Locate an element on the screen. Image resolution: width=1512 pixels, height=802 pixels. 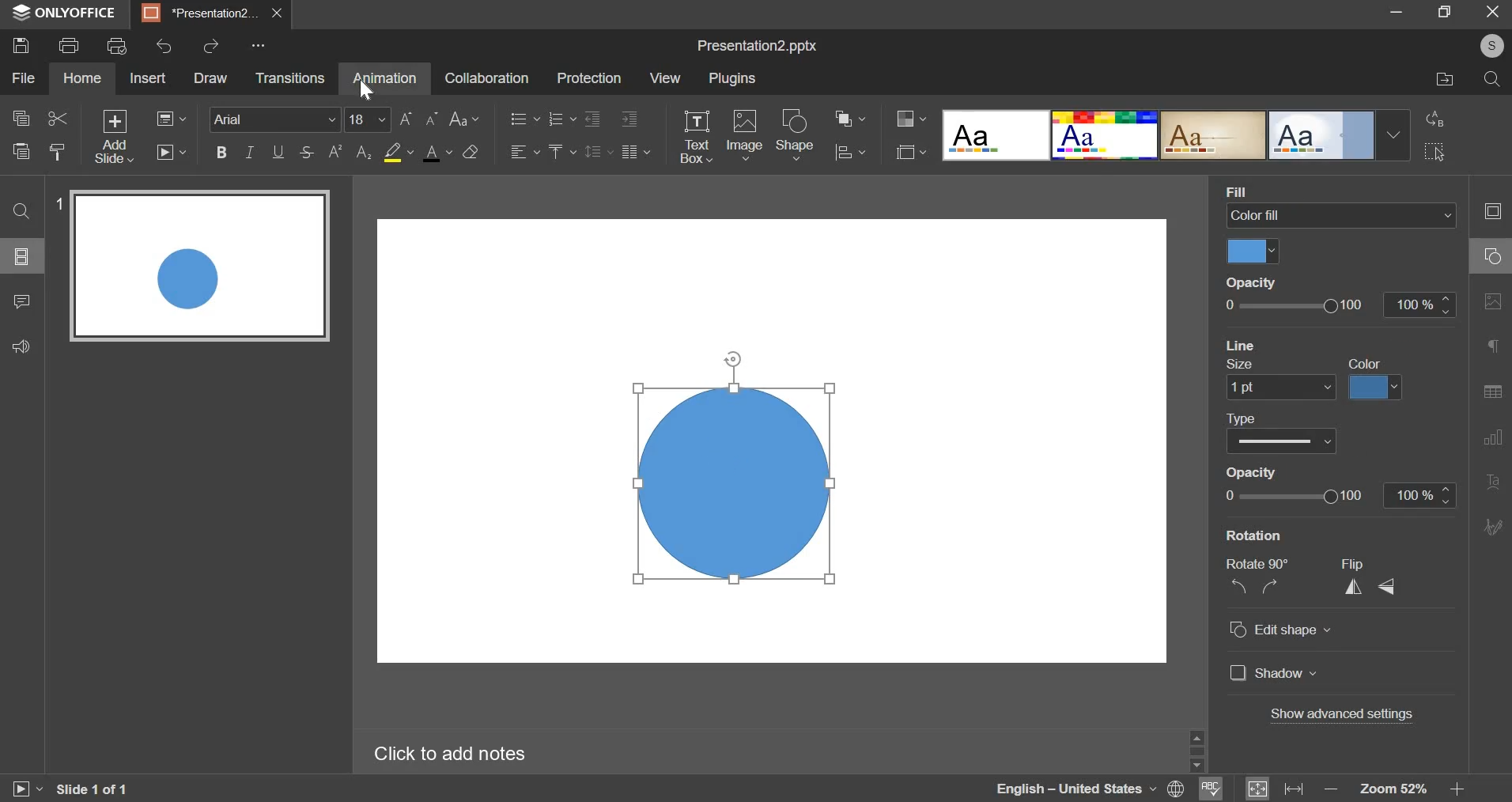
fill color is located at coordinates (1253, 252).